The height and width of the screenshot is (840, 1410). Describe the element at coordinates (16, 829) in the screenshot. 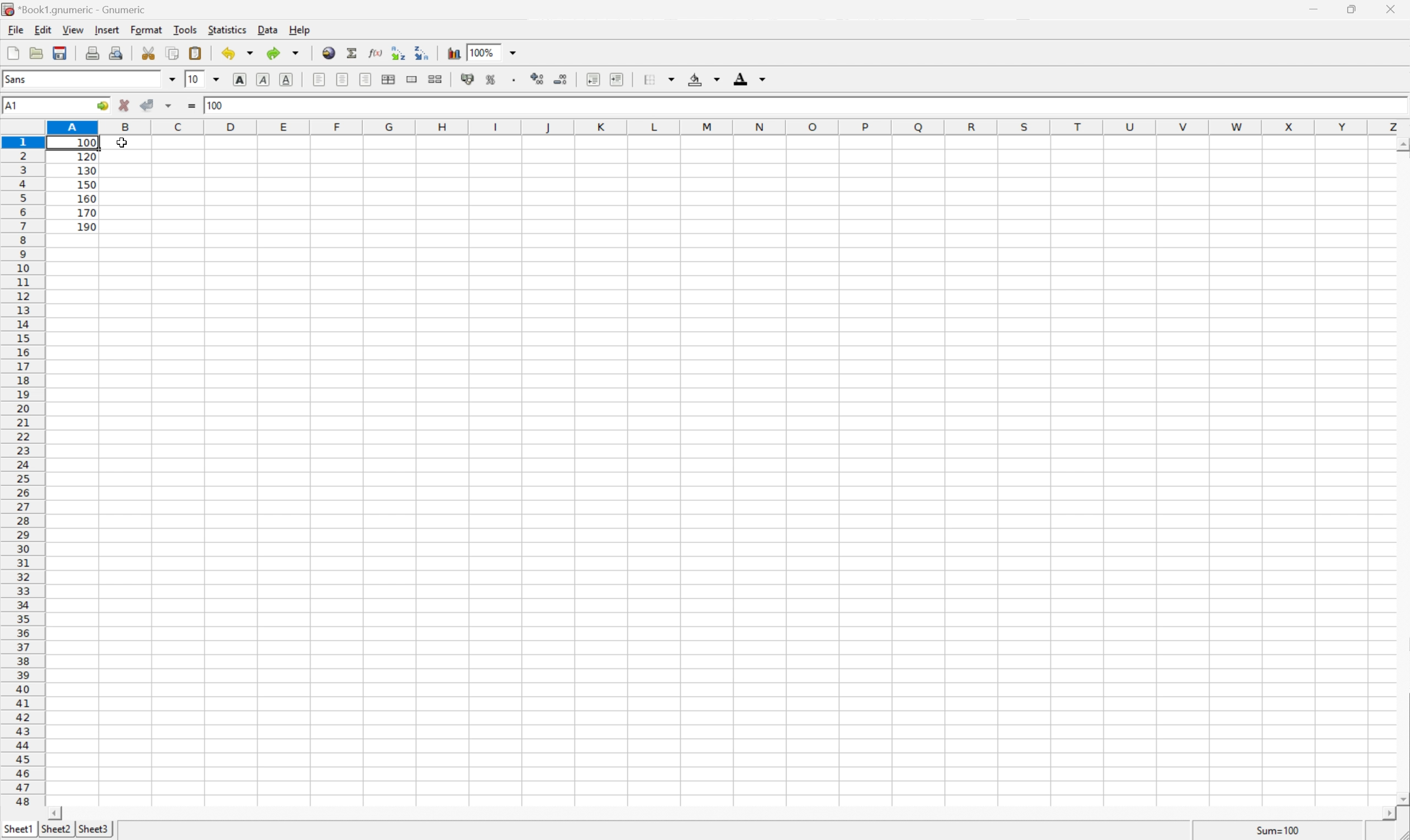

I see `Sheet1` at that location.